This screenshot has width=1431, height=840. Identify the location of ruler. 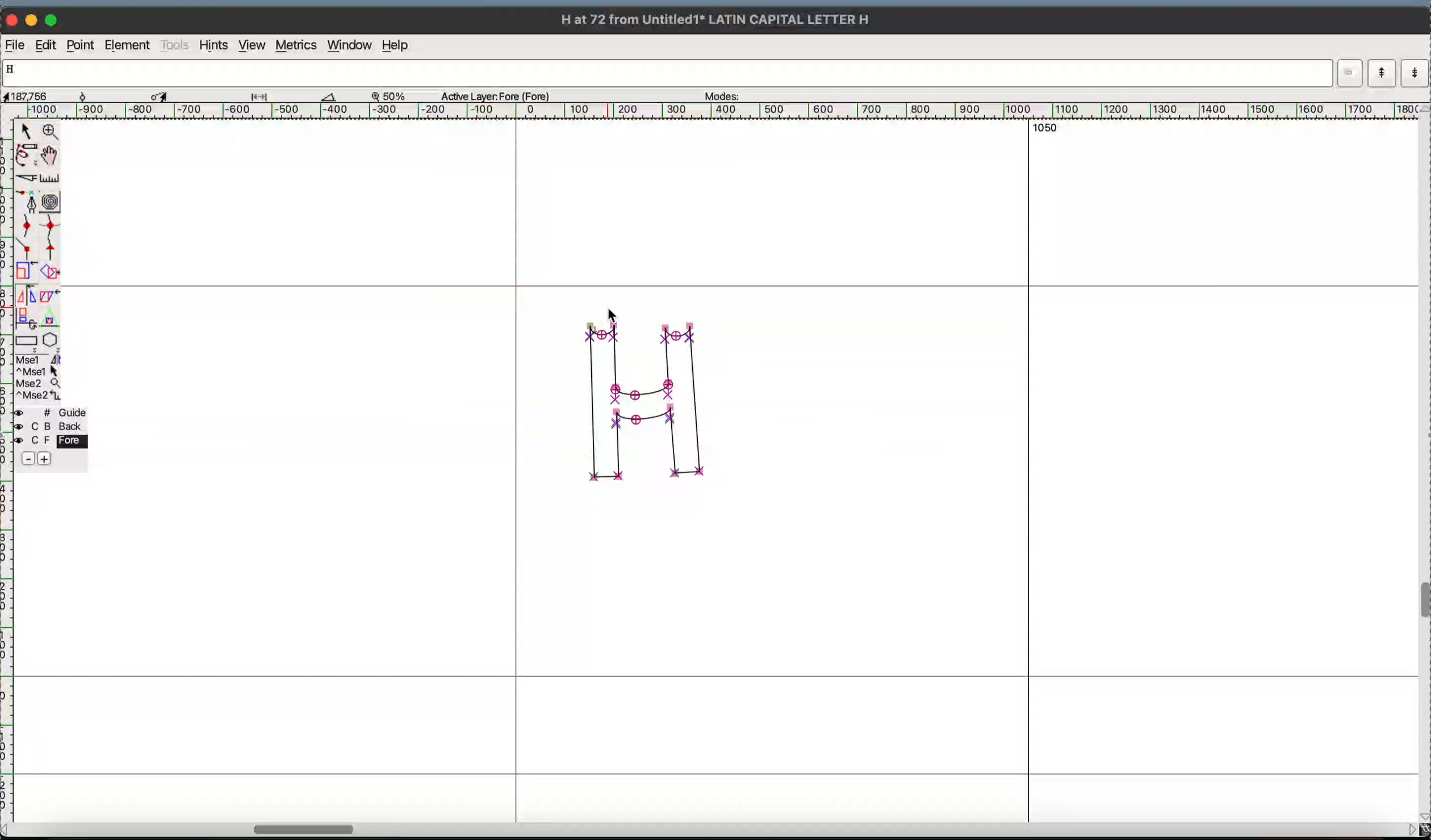
(49, 178).